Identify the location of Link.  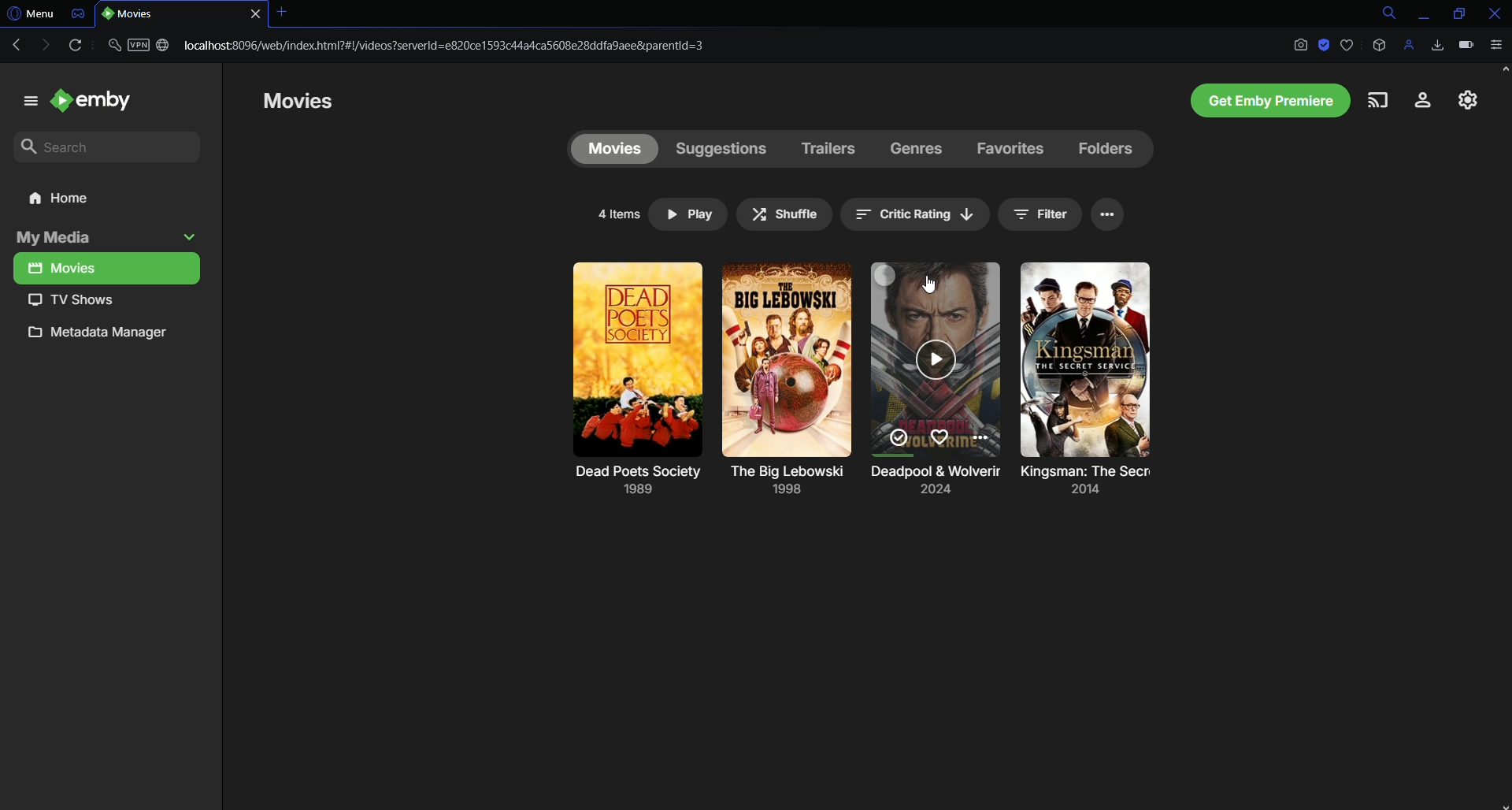
(450, 44).